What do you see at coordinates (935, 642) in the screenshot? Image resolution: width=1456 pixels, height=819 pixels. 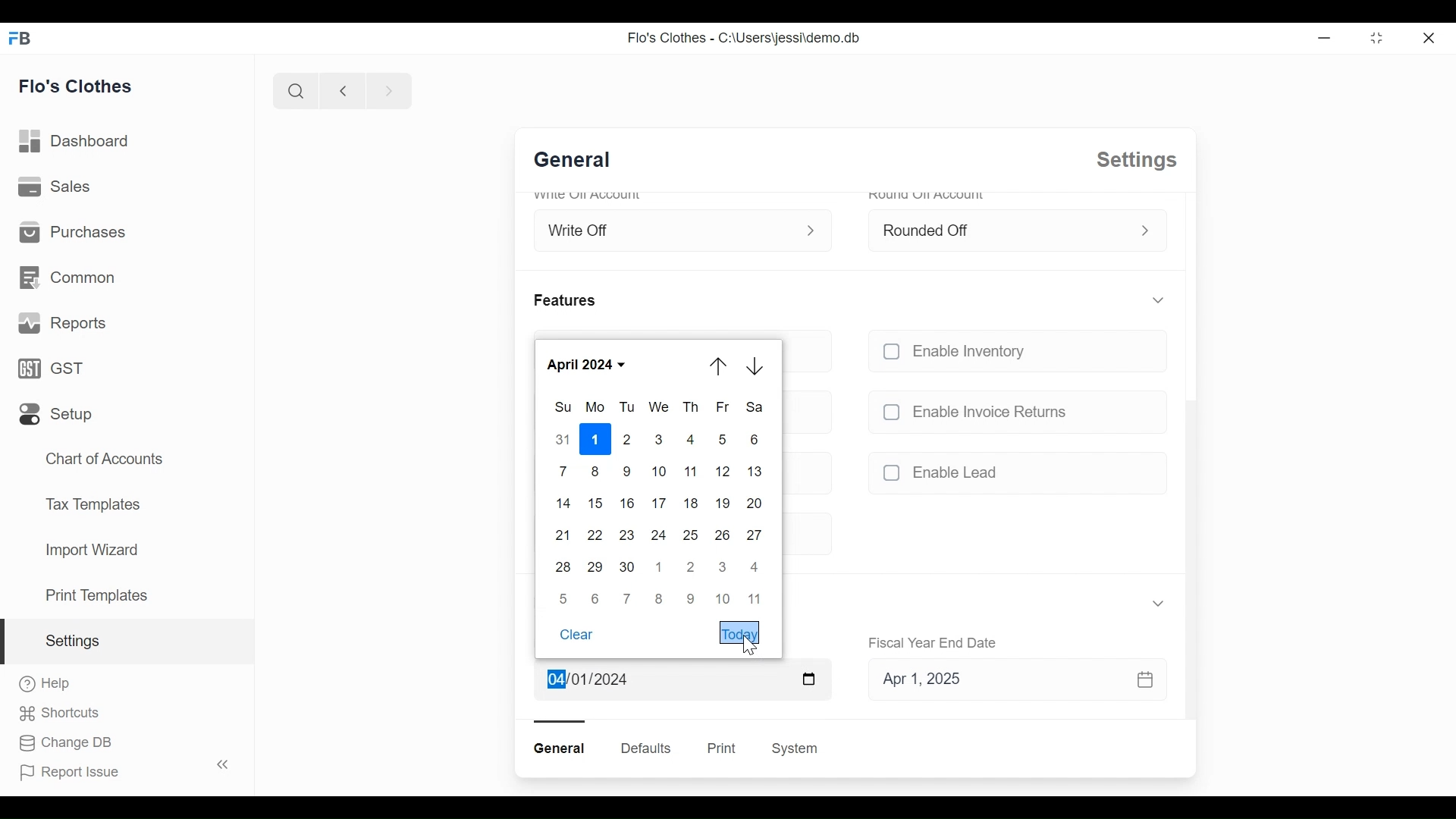 I see `Fiscal Year End Date` at bounding box center [935, 642].